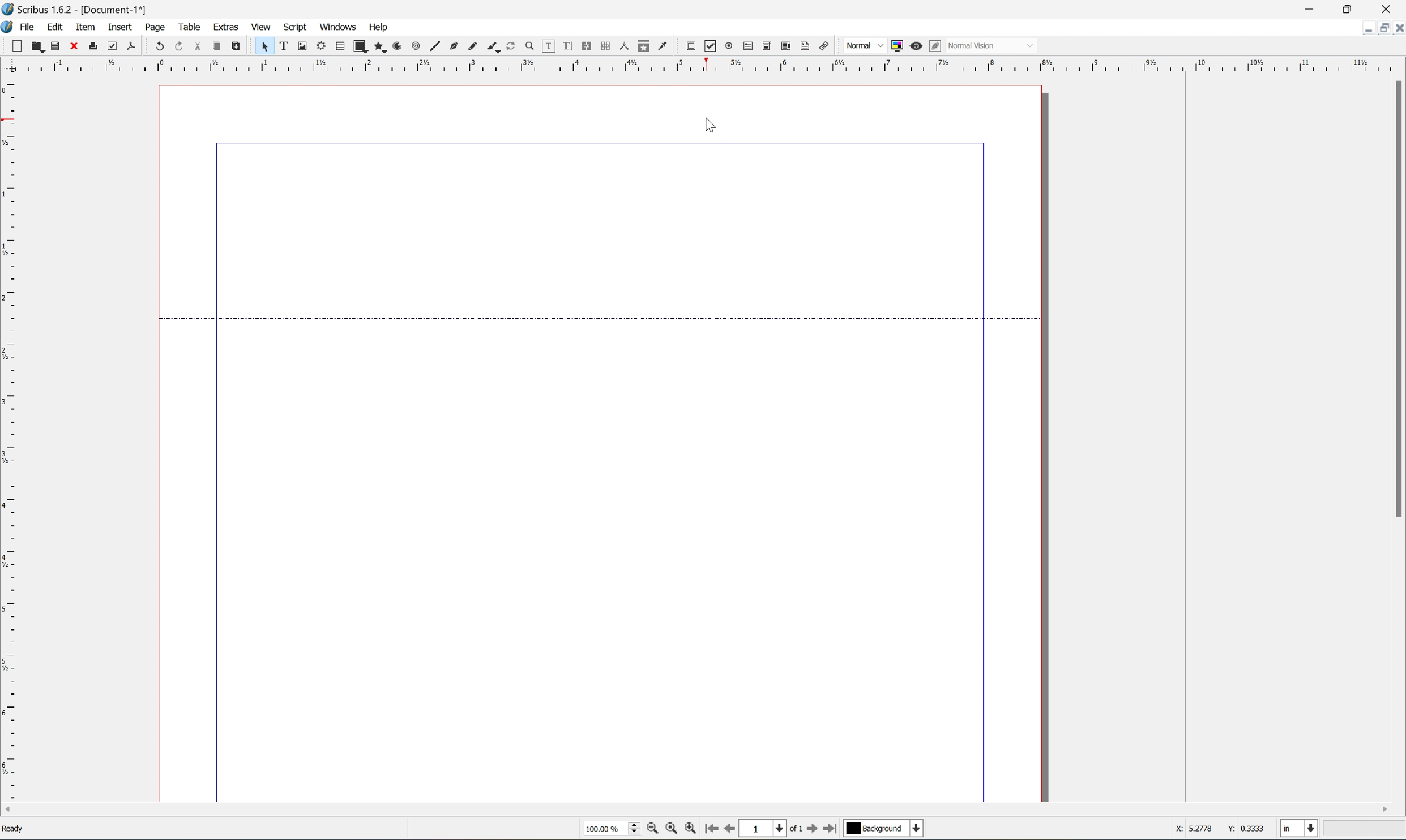  I want to click on save as pdf, so click(132, 47).